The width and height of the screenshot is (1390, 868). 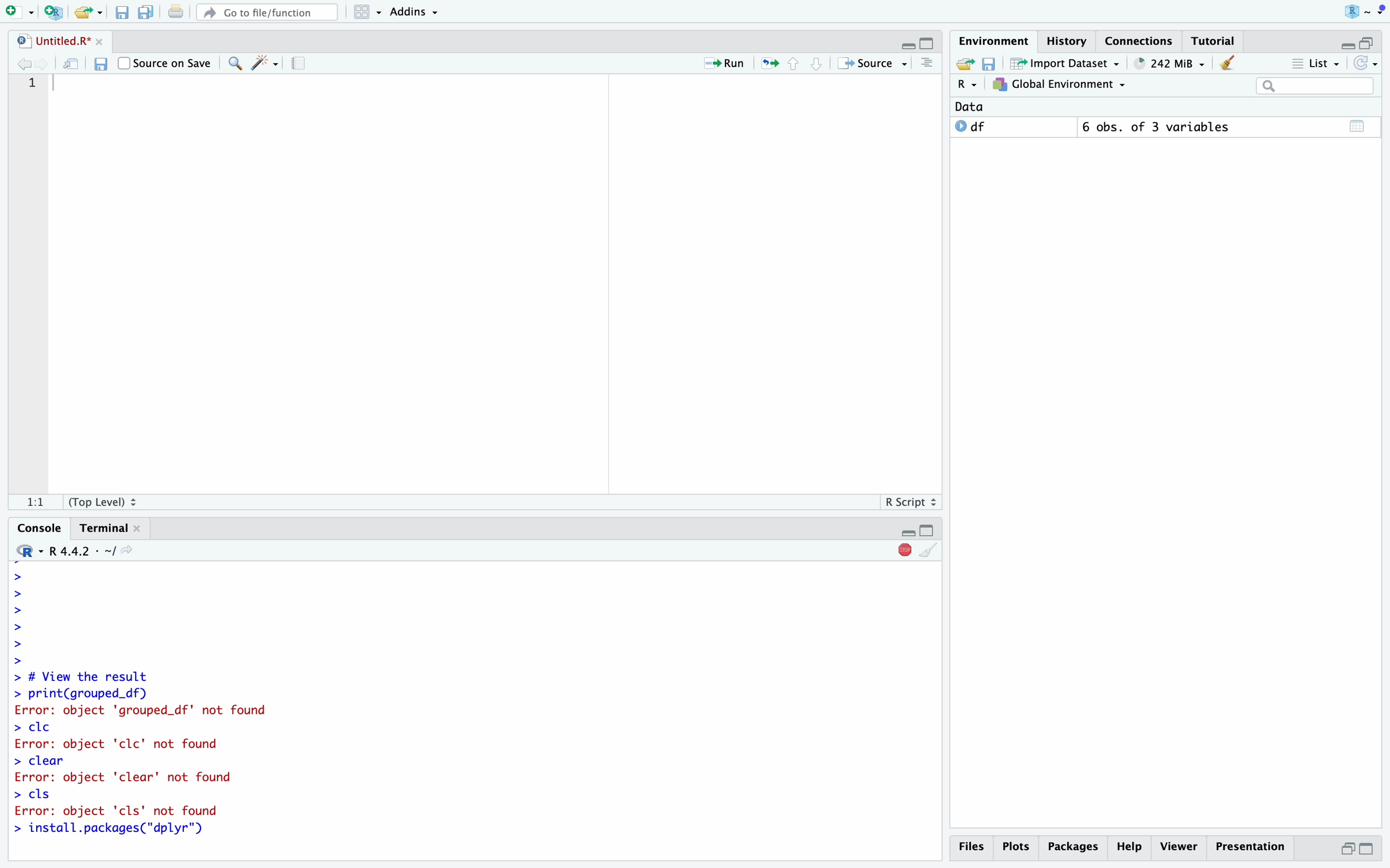 What do you see at coordinates (993, 63) in the screenshot?
I see `Save` at bounding box center [993, 63].